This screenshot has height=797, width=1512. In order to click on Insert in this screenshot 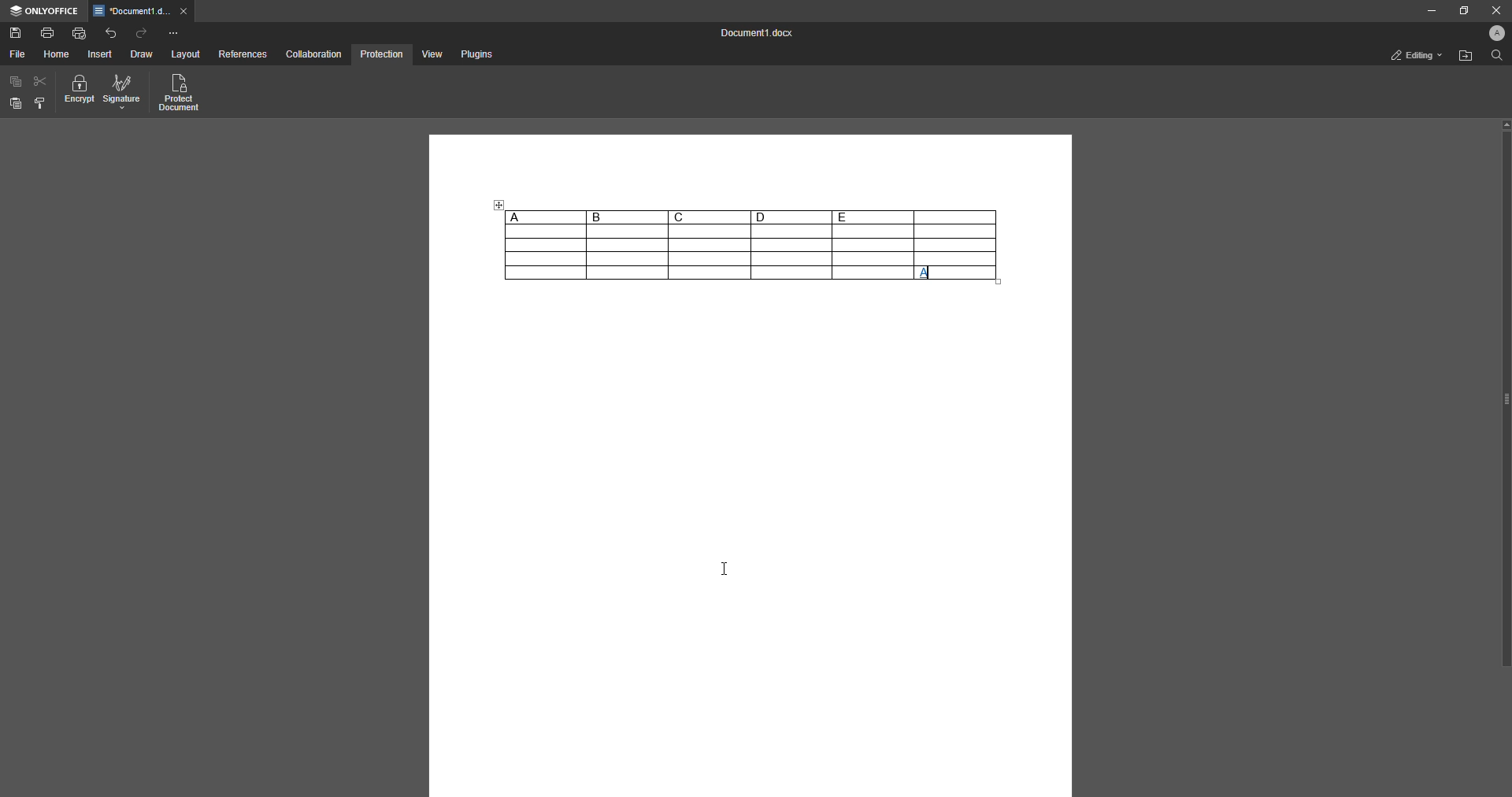, I will do `click(101, 54)`.